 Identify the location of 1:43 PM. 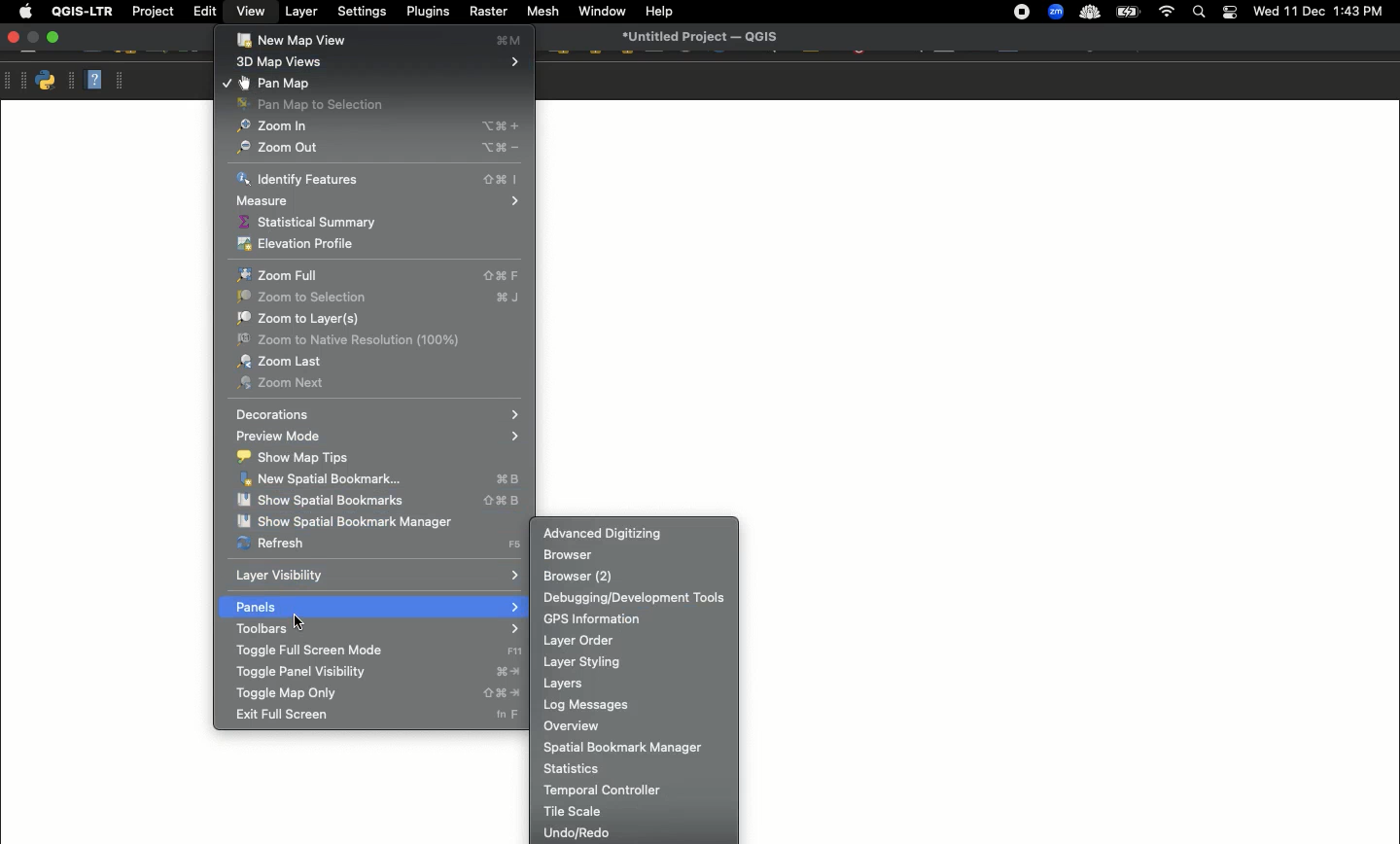
(1361, 11).